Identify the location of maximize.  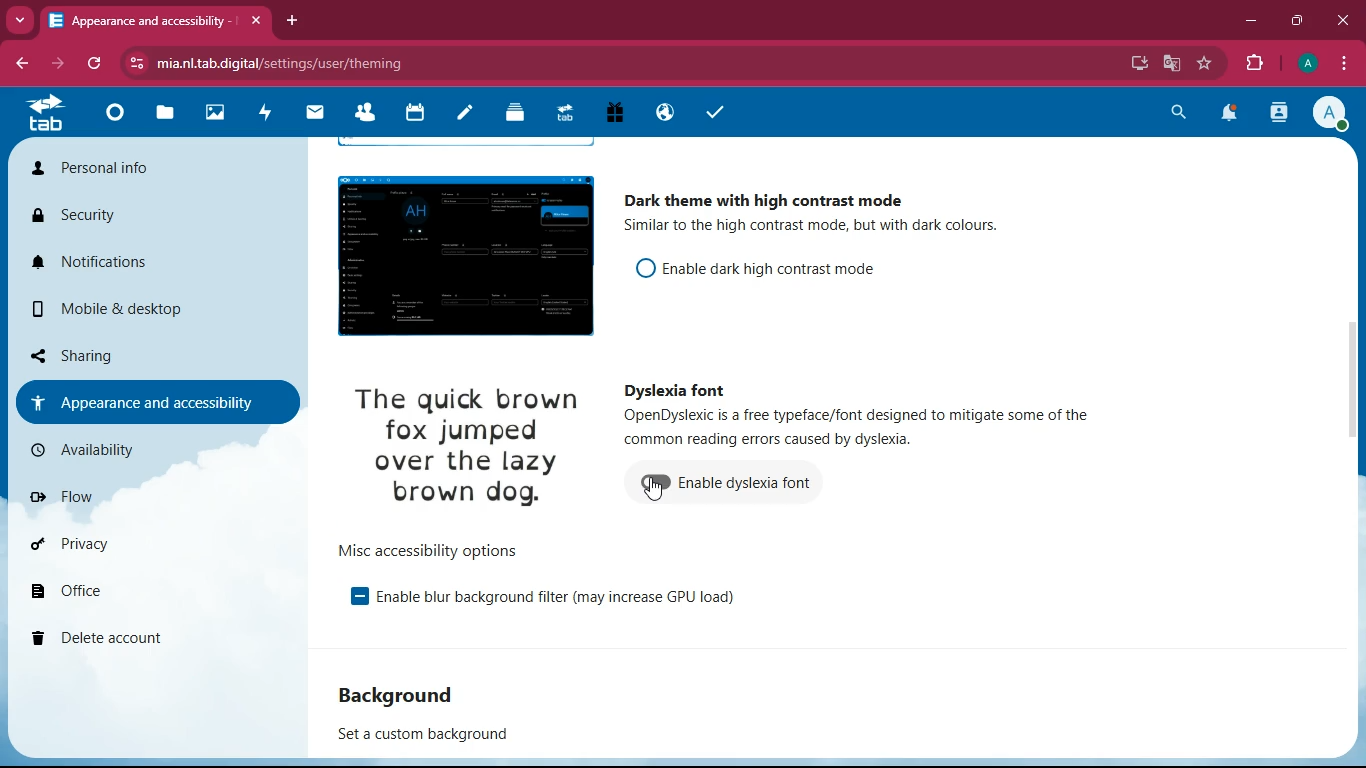
(1299, 17).